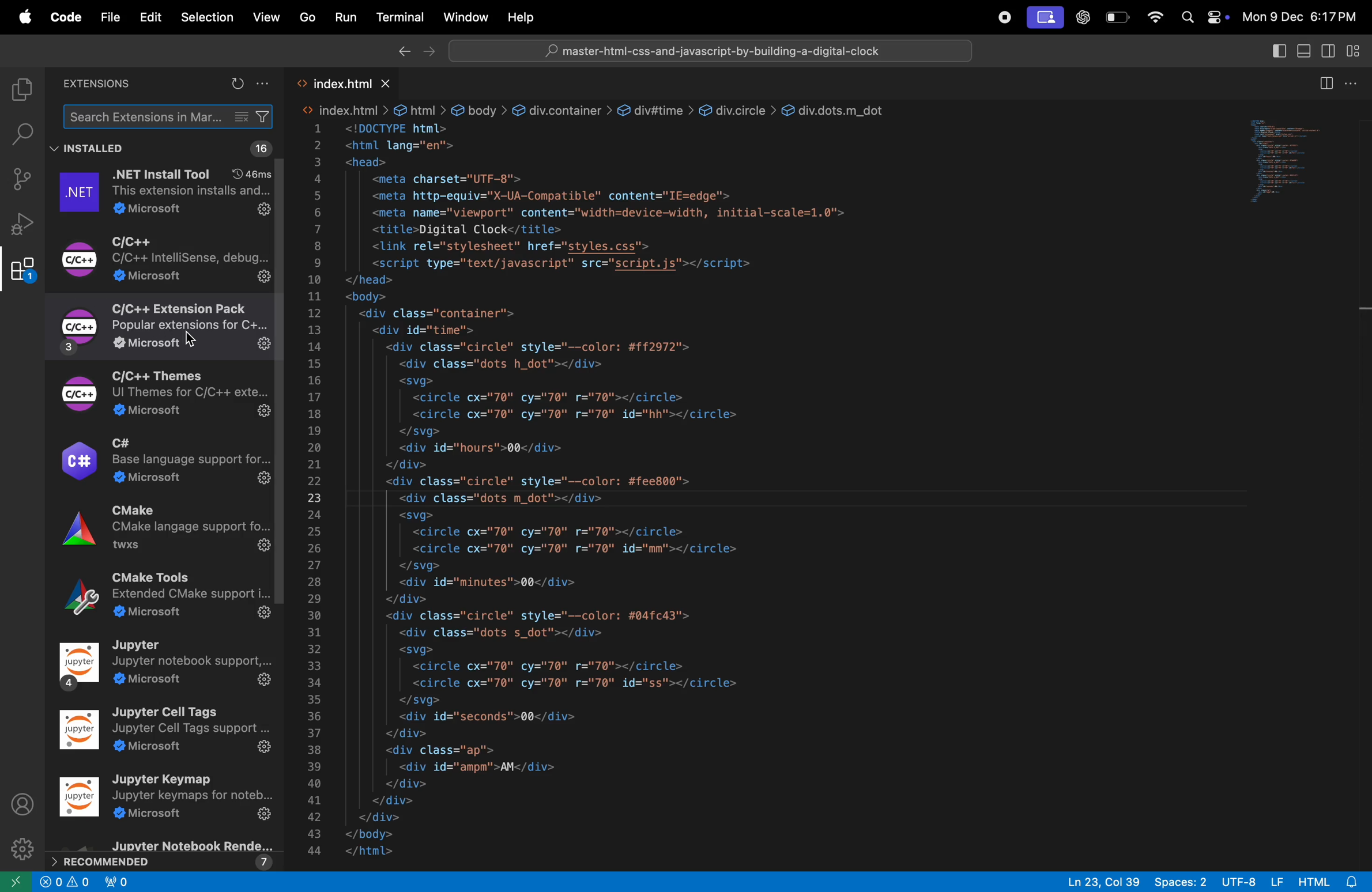  Describe the element at coordinates (159, 394) in the screenshot. I see `C/C++ themes` at that location.